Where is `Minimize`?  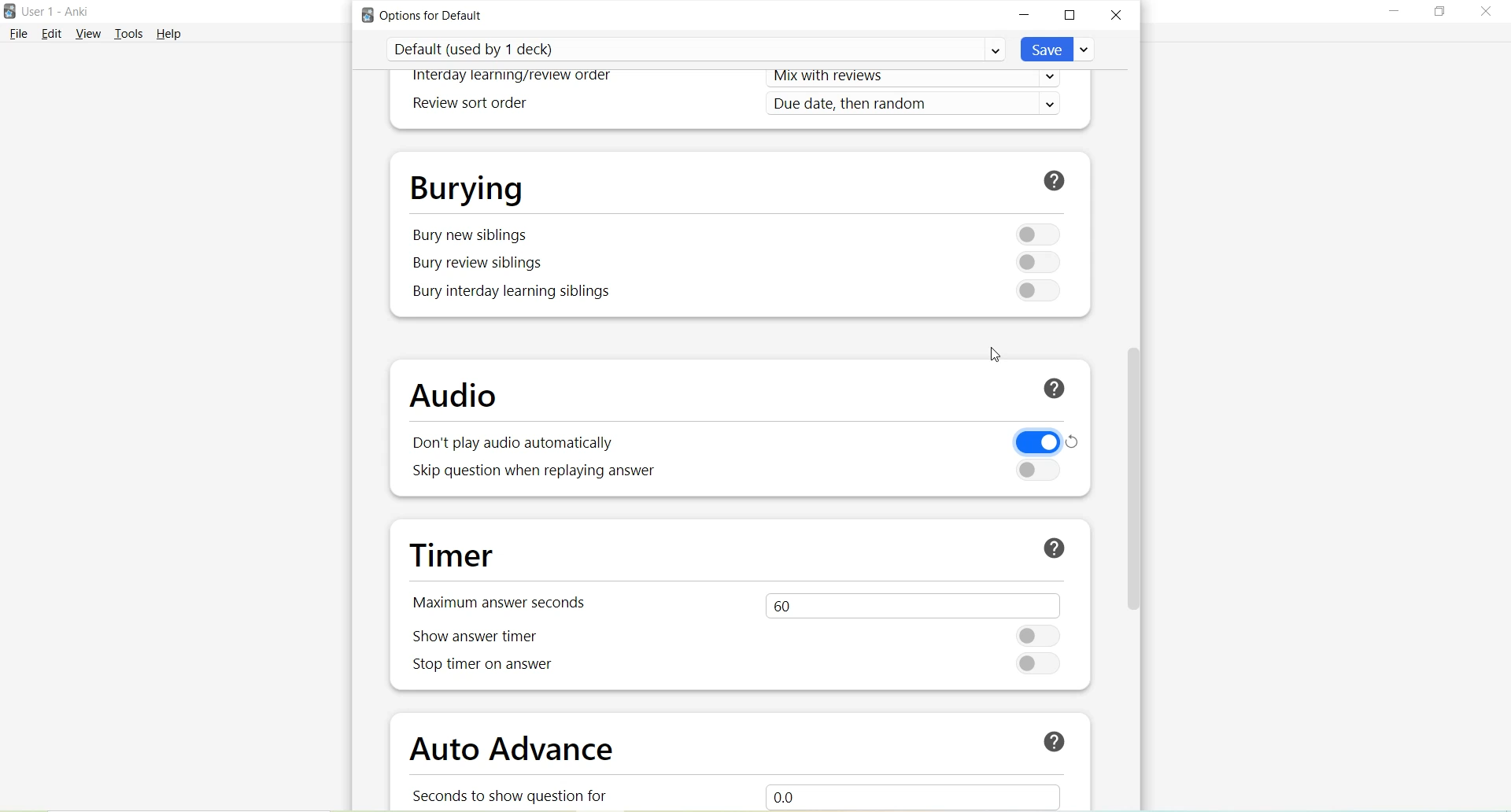
Minimize is located at coordinates (1025, 15).